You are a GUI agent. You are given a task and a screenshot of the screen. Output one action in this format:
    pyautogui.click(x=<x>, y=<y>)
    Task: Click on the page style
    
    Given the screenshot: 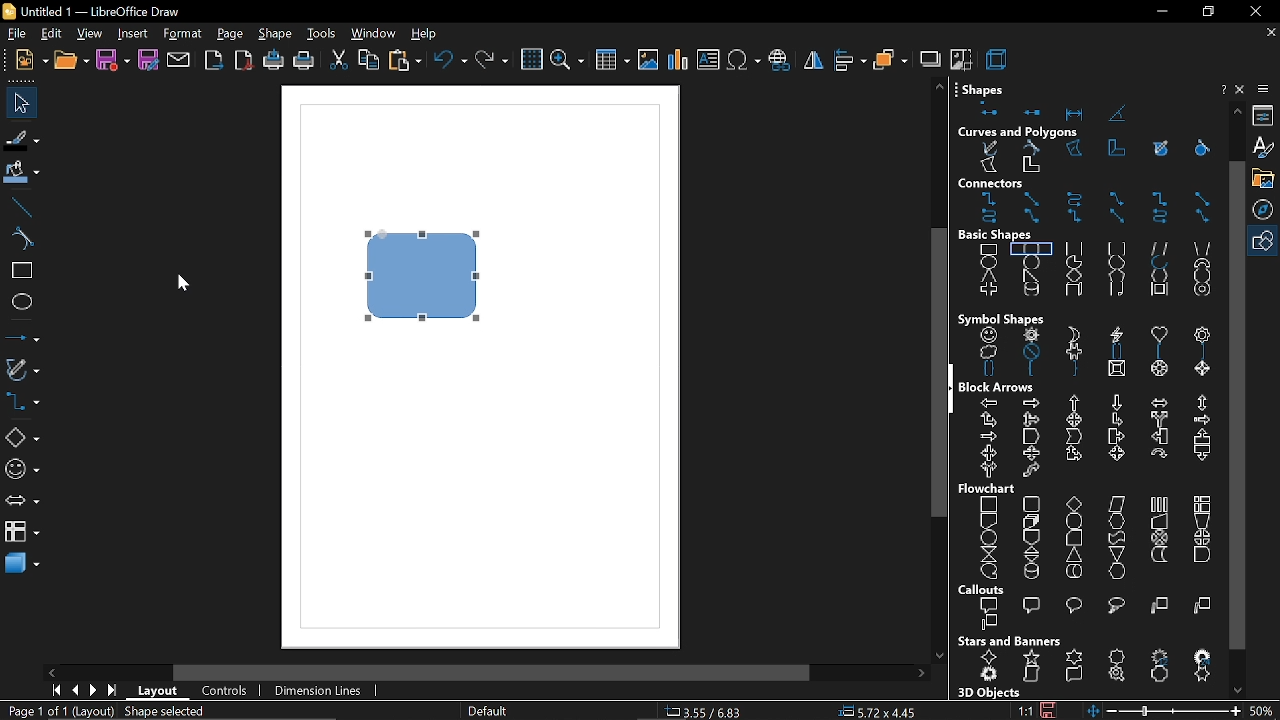 What is the action you would take?
    pyautogui.click(x=486, y=712)
    